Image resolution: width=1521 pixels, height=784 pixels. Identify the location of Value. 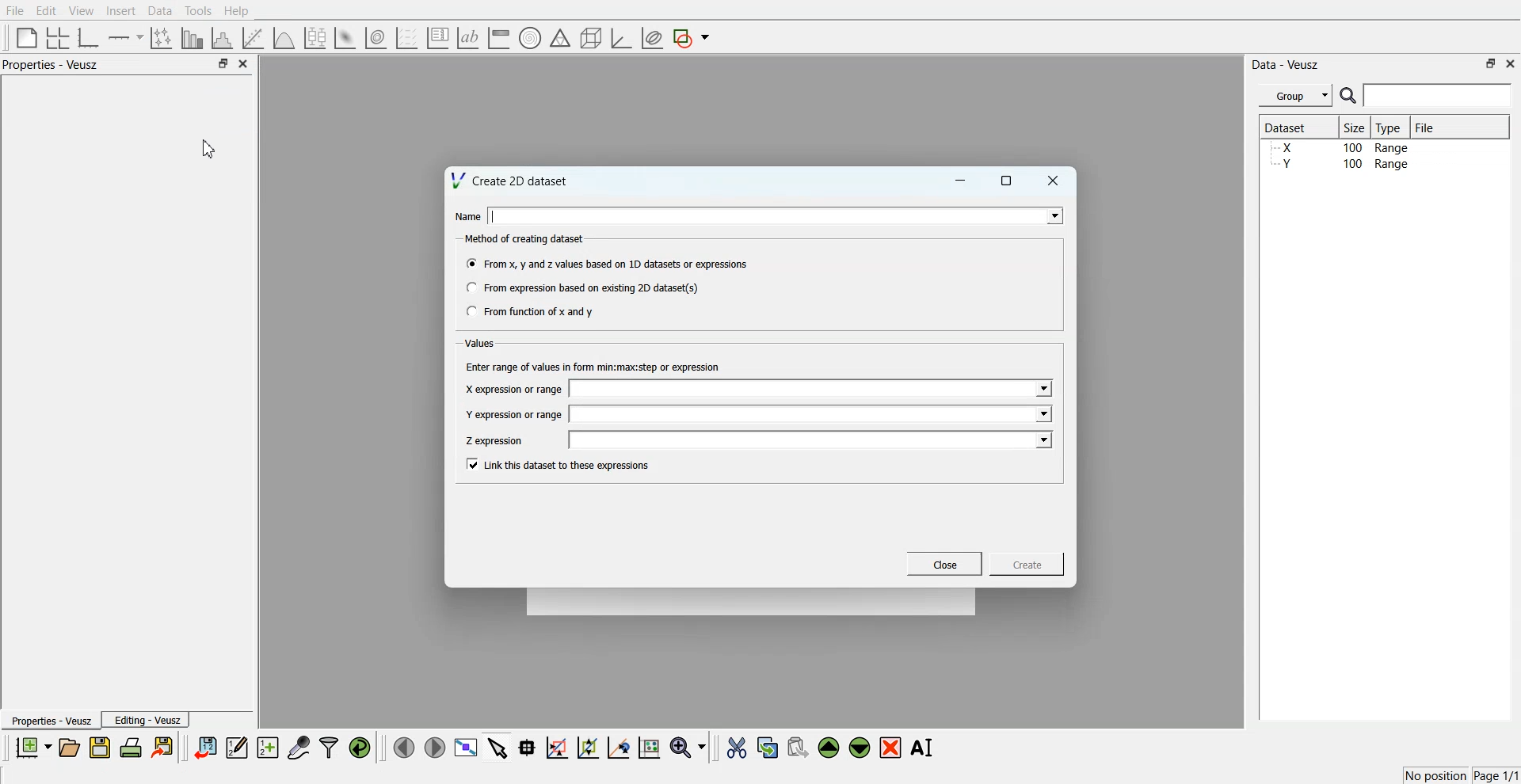
(482, 343).